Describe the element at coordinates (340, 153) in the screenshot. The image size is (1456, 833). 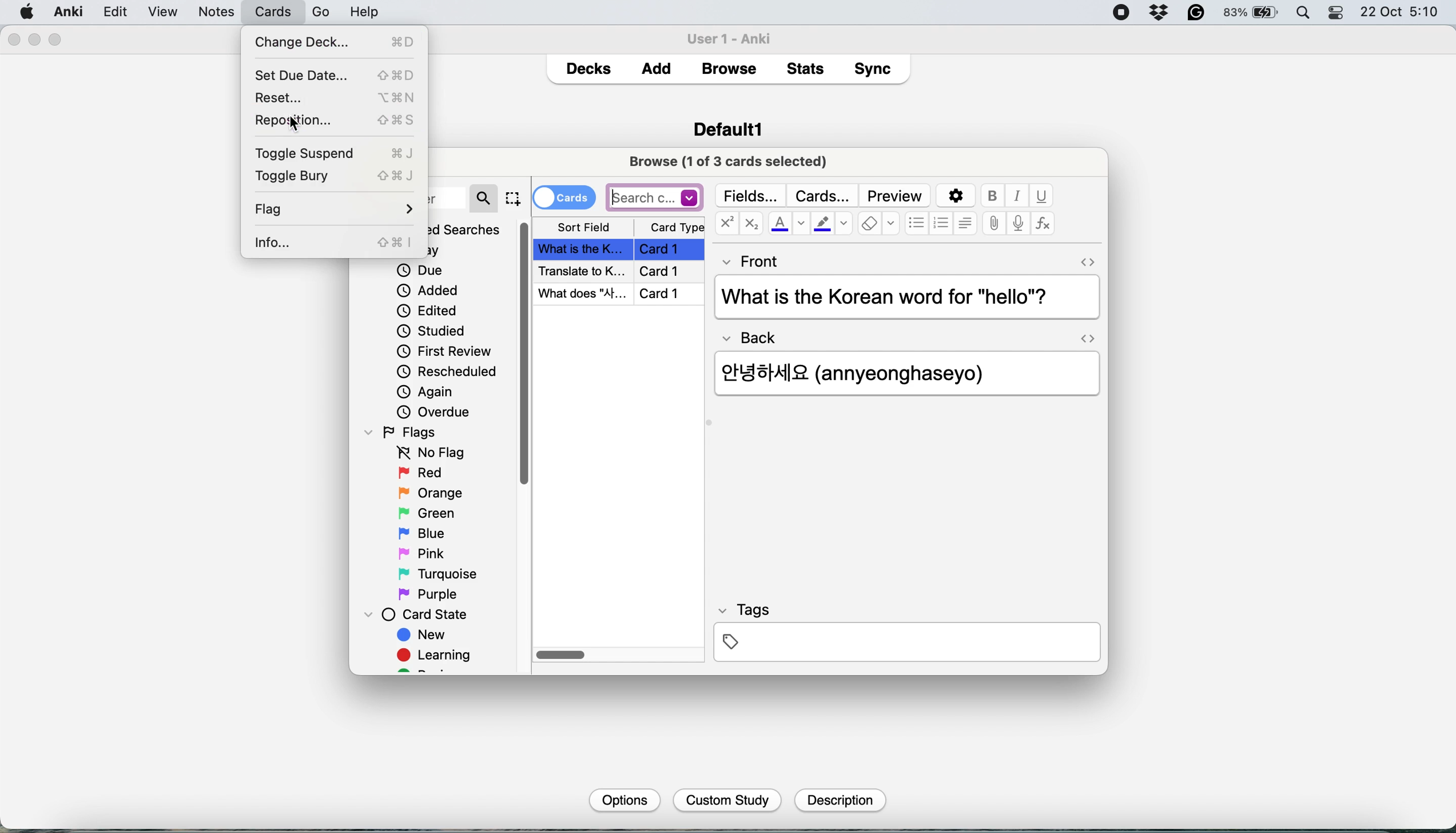
I see `toggle suspend` at that location.